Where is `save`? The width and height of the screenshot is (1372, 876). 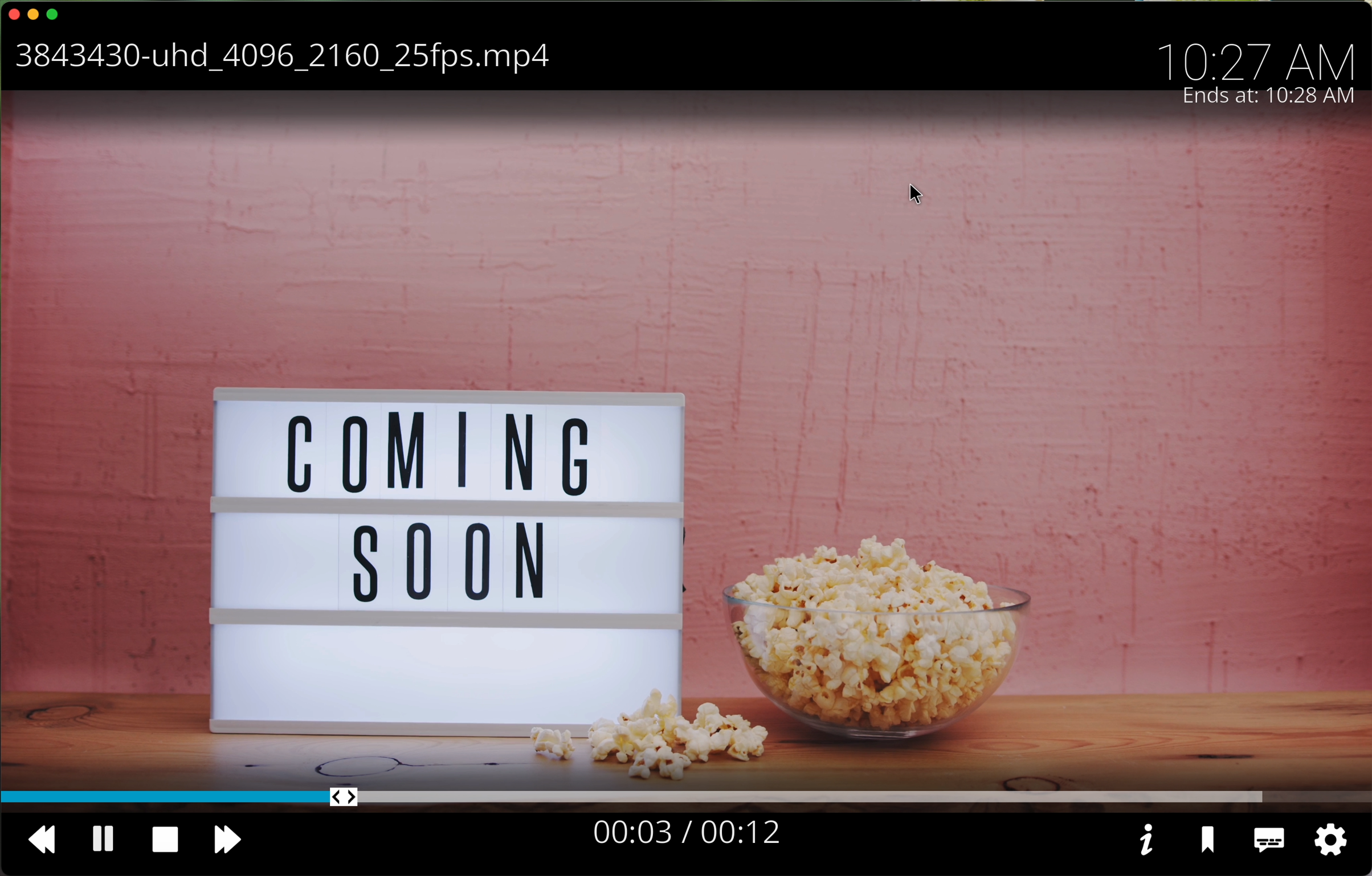
save is located at coordinates (1206, 838).